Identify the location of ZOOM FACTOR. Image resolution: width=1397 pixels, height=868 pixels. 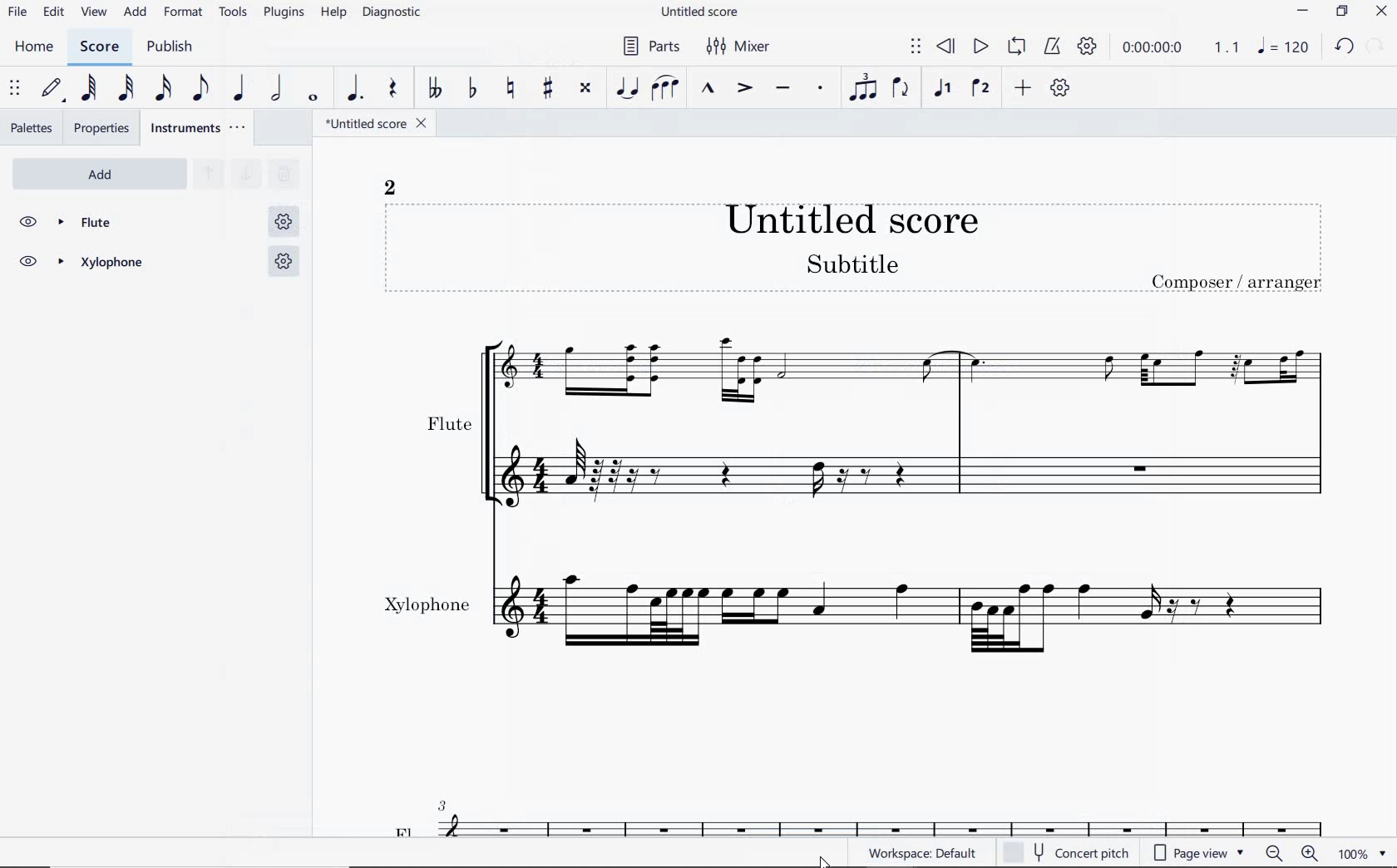
(1364, 853).